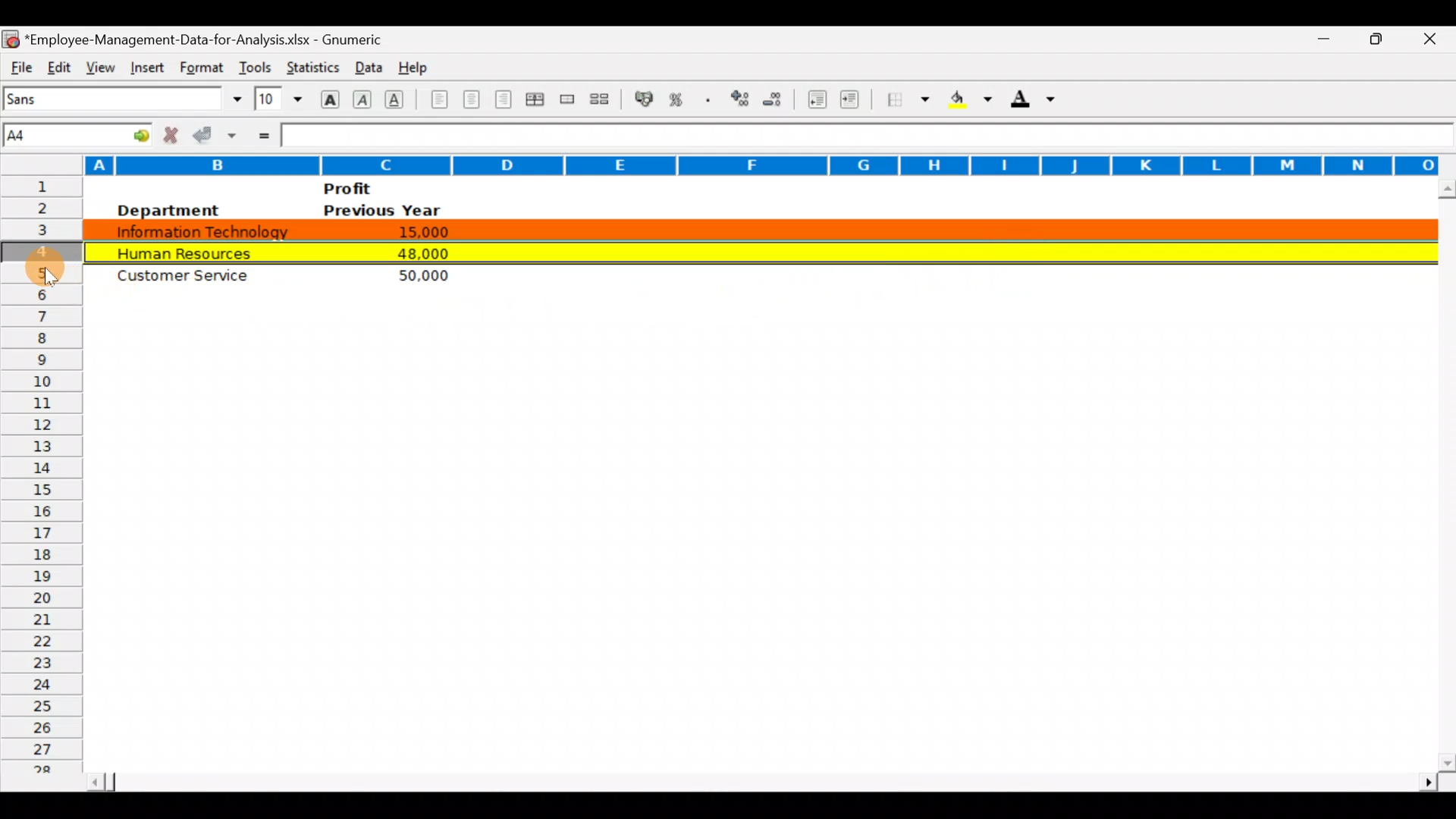 The image size is (1456, 819). Describe the element at coordinates (213, 37) in the screenshot. I see `*Employee-Management-Data-for-Analysis.xlsx - Gnumeric` at that location.